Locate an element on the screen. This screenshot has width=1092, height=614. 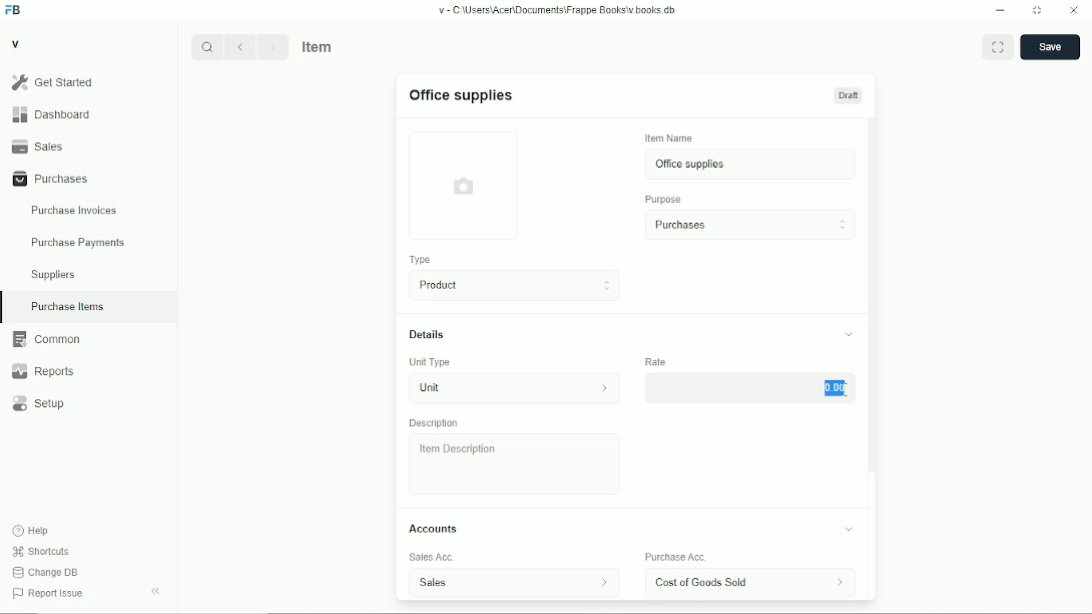
0.00 - typing is located at coordinates (750, 387).